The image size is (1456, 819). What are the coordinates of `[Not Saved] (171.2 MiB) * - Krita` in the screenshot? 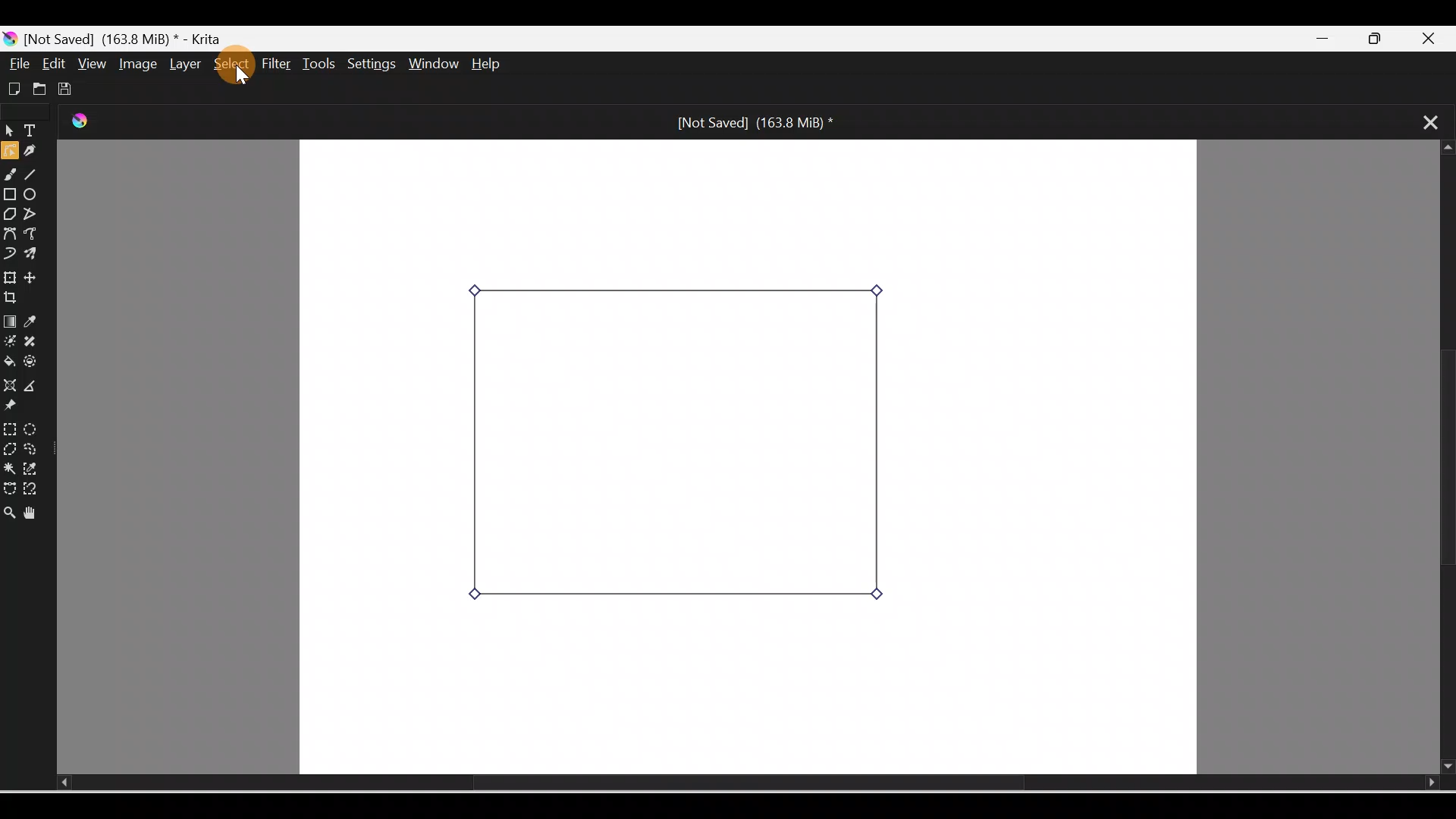 It's located at (121, 37).